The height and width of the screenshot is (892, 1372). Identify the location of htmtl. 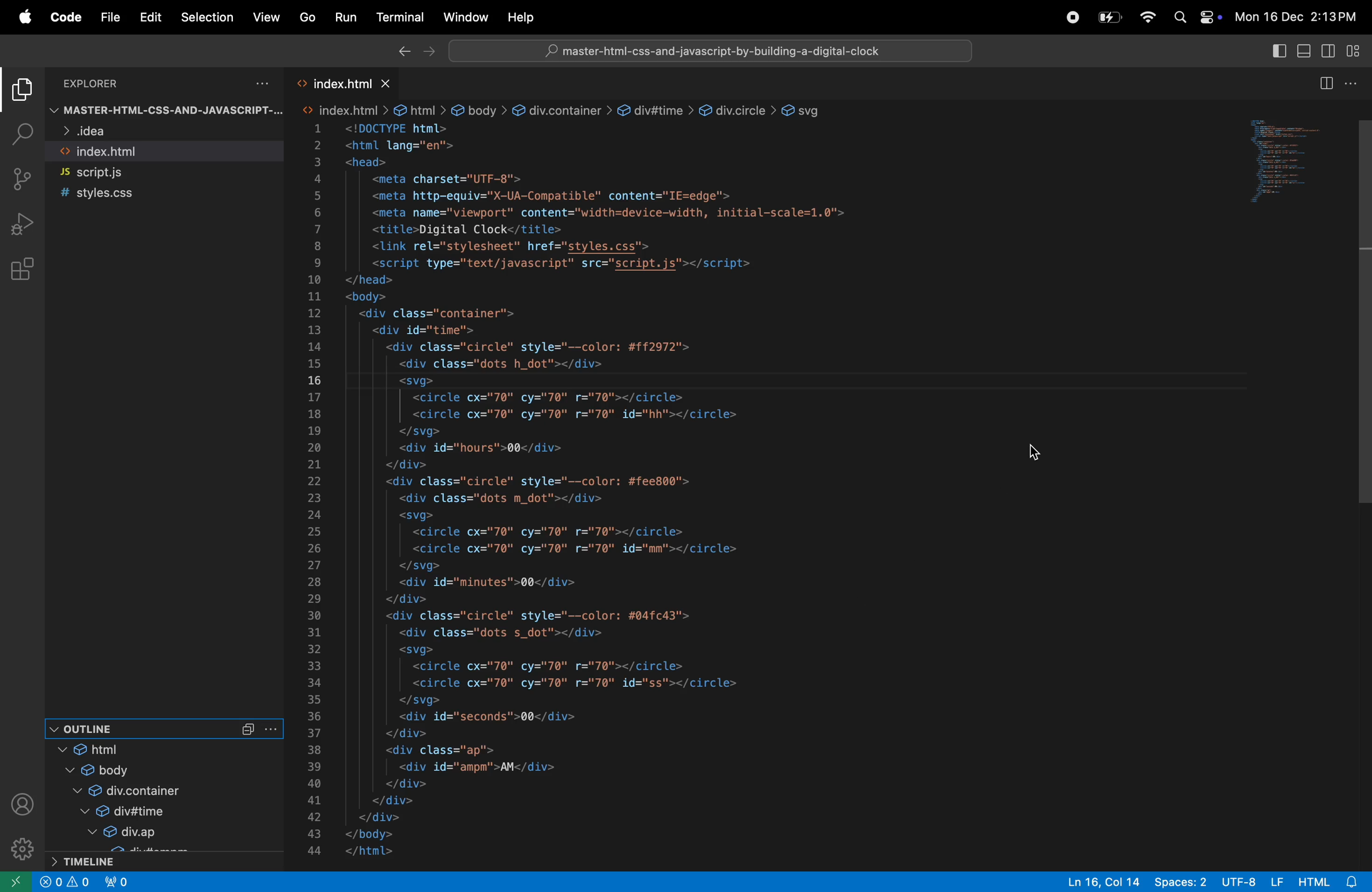
(116, 749).